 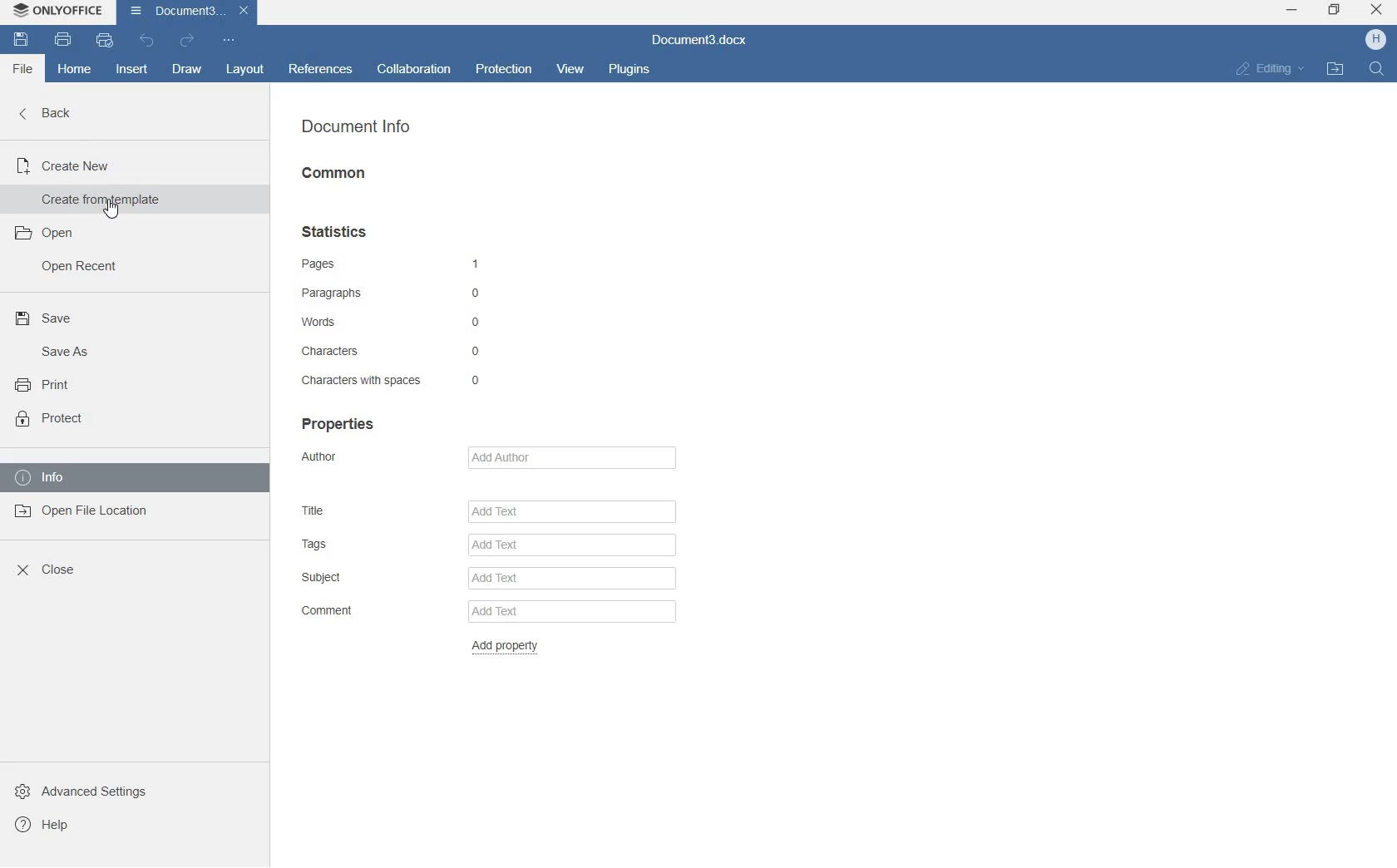 I want to click on advanced settings, so click(x=99, y=789).